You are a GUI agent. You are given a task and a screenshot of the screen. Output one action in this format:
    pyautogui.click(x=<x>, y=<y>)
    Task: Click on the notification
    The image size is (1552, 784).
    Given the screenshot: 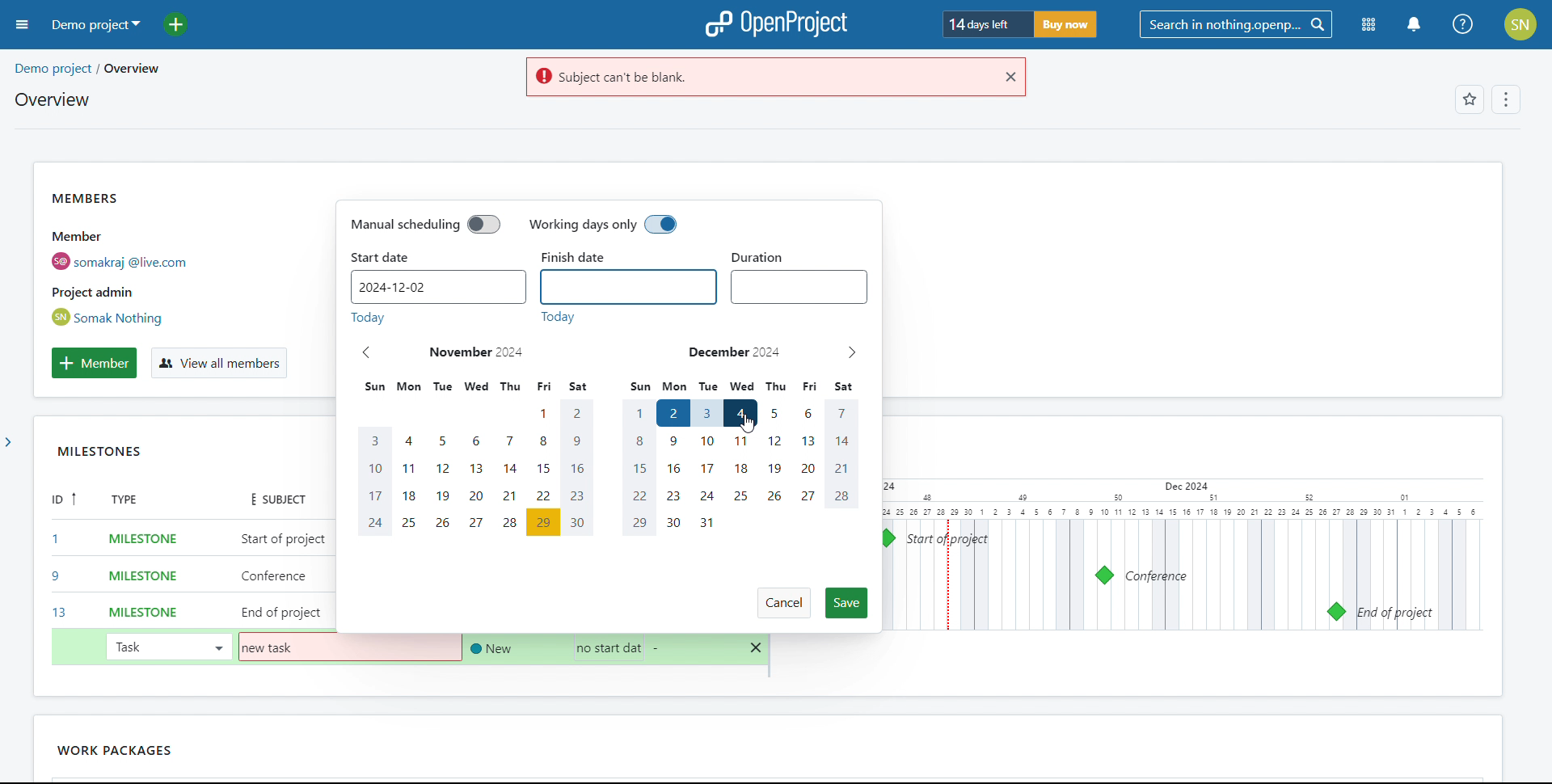 What is the action you would take?
    pyautogui.click(x=1413, y=25)
    